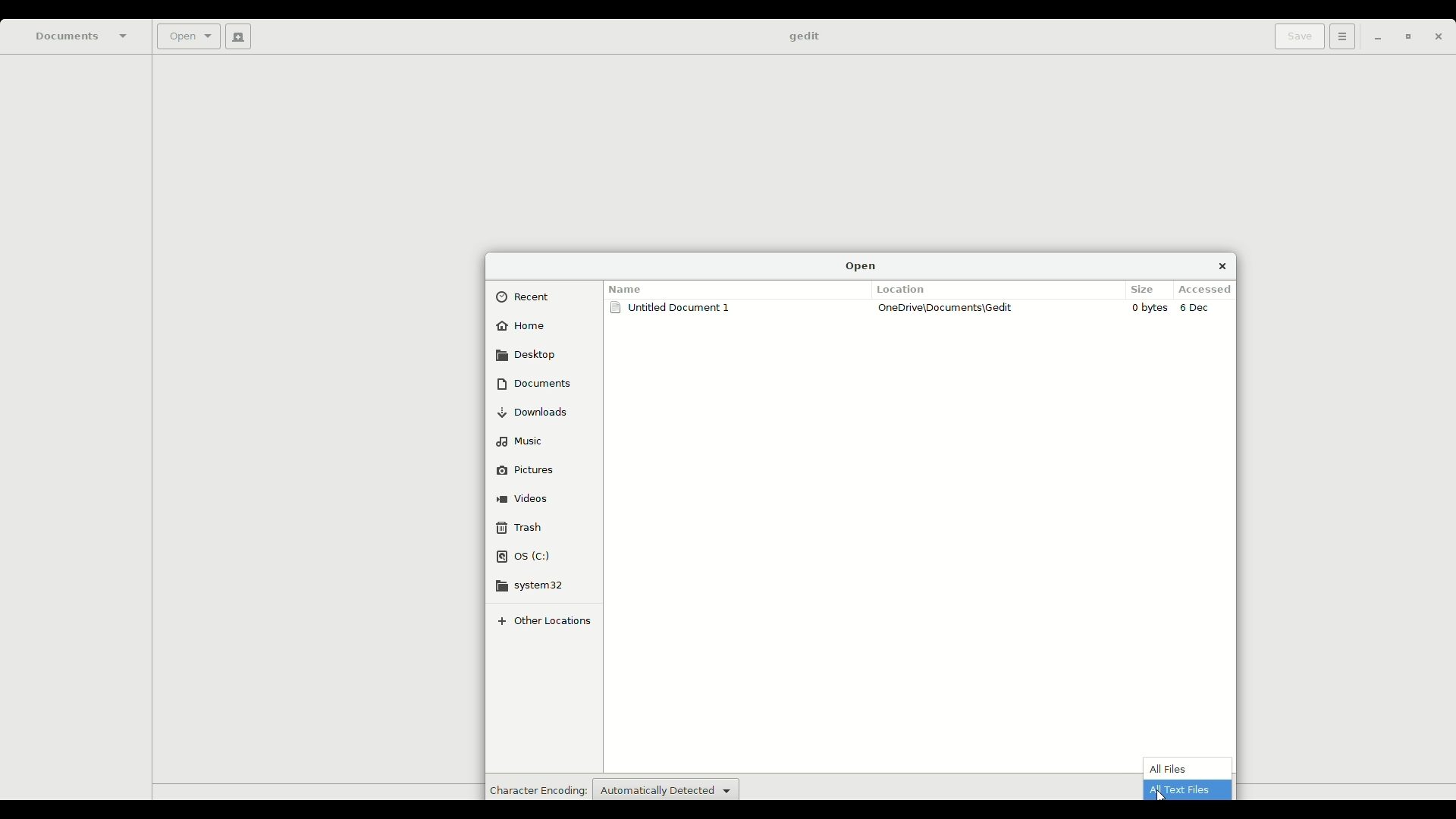 The image size is (1456, 819). Describe the element at coordinates (1151, 308) in the screenshot. I see `0 bytes` at that location.